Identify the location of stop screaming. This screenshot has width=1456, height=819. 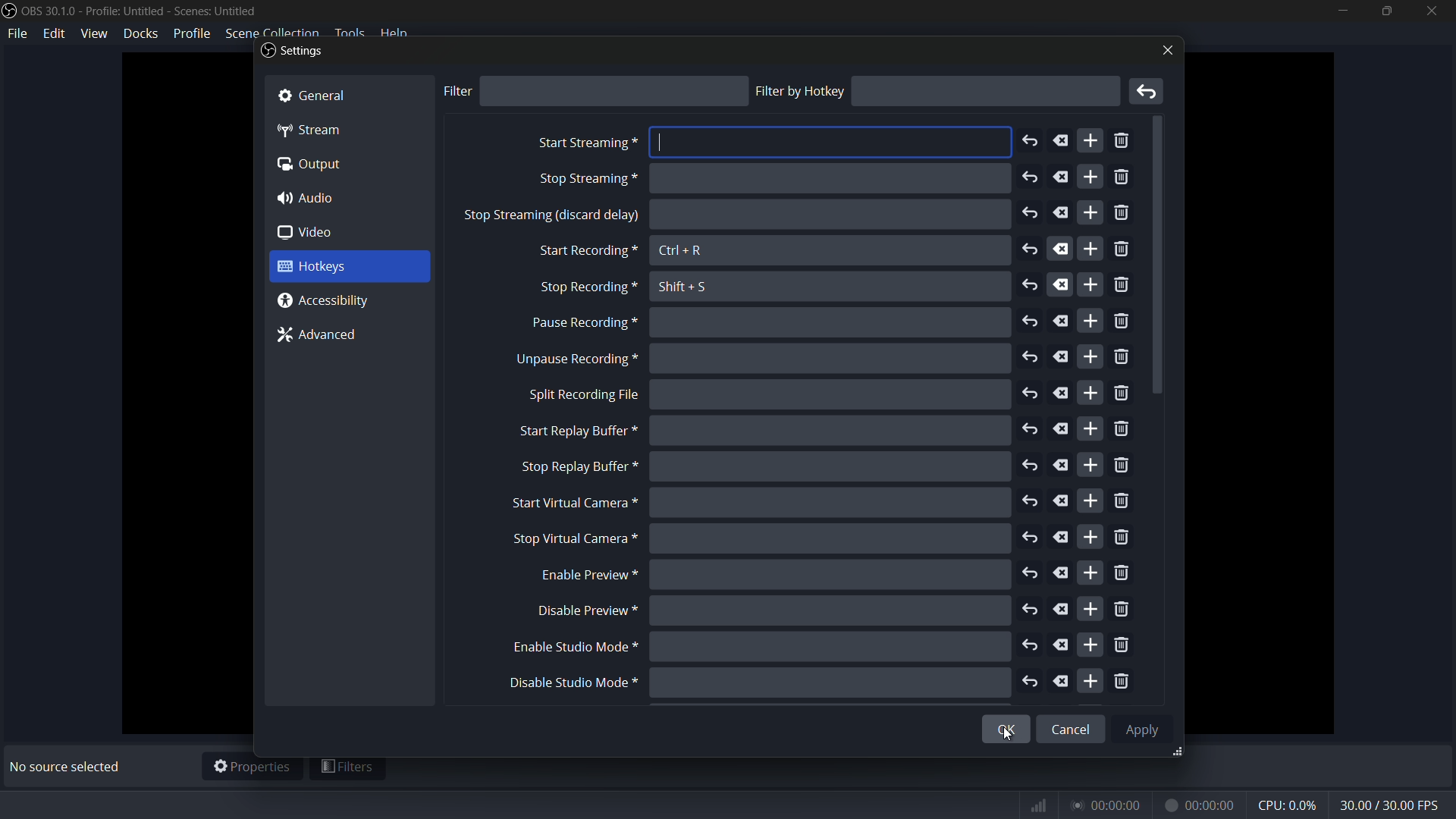
(585, 180).